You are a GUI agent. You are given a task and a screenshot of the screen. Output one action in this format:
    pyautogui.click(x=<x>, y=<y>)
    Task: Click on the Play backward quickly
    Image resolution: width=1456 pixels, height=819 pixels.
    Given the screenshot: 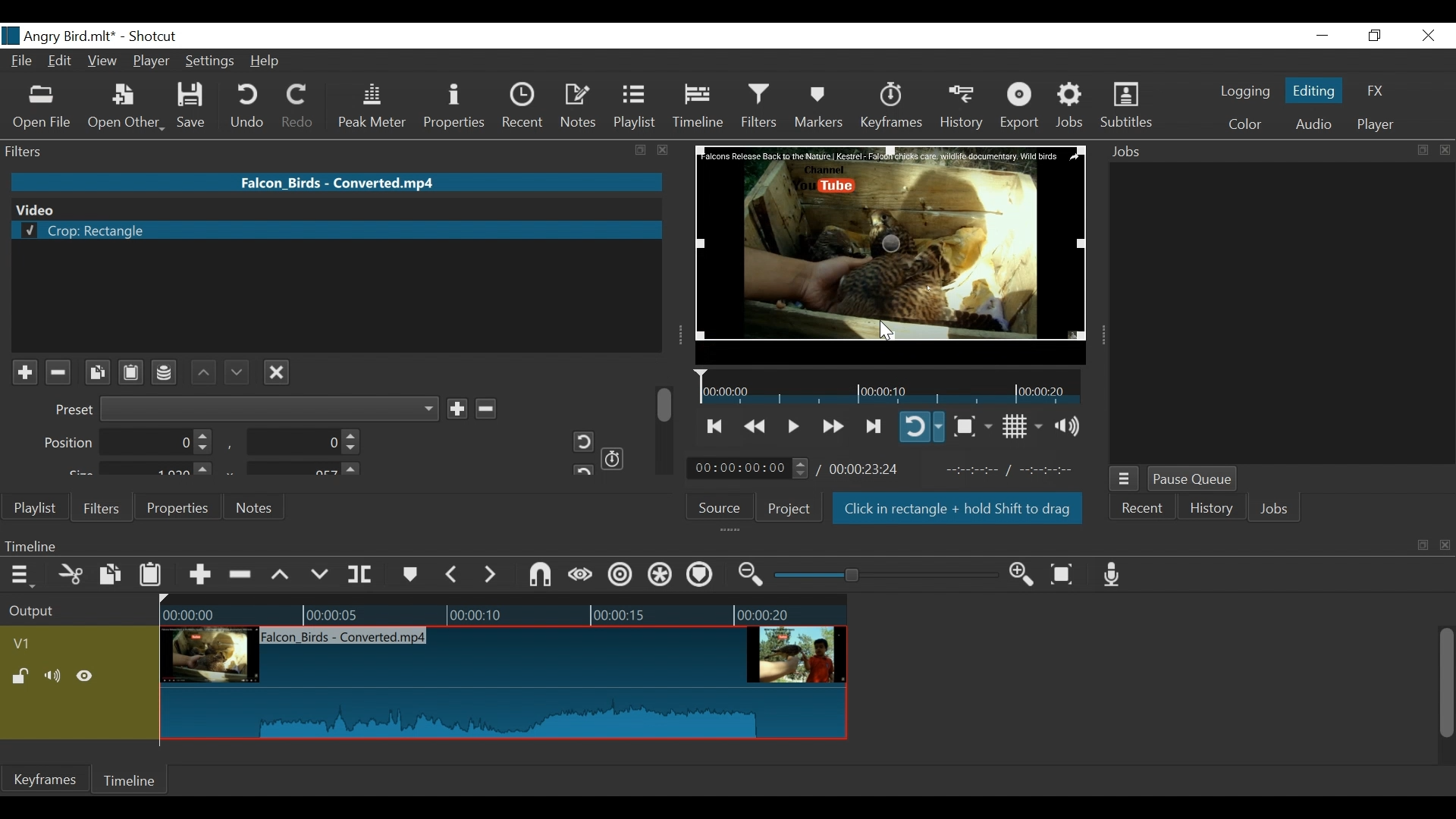 What is the action you would take?
    pyautogui.click(x=757, y=427)
    